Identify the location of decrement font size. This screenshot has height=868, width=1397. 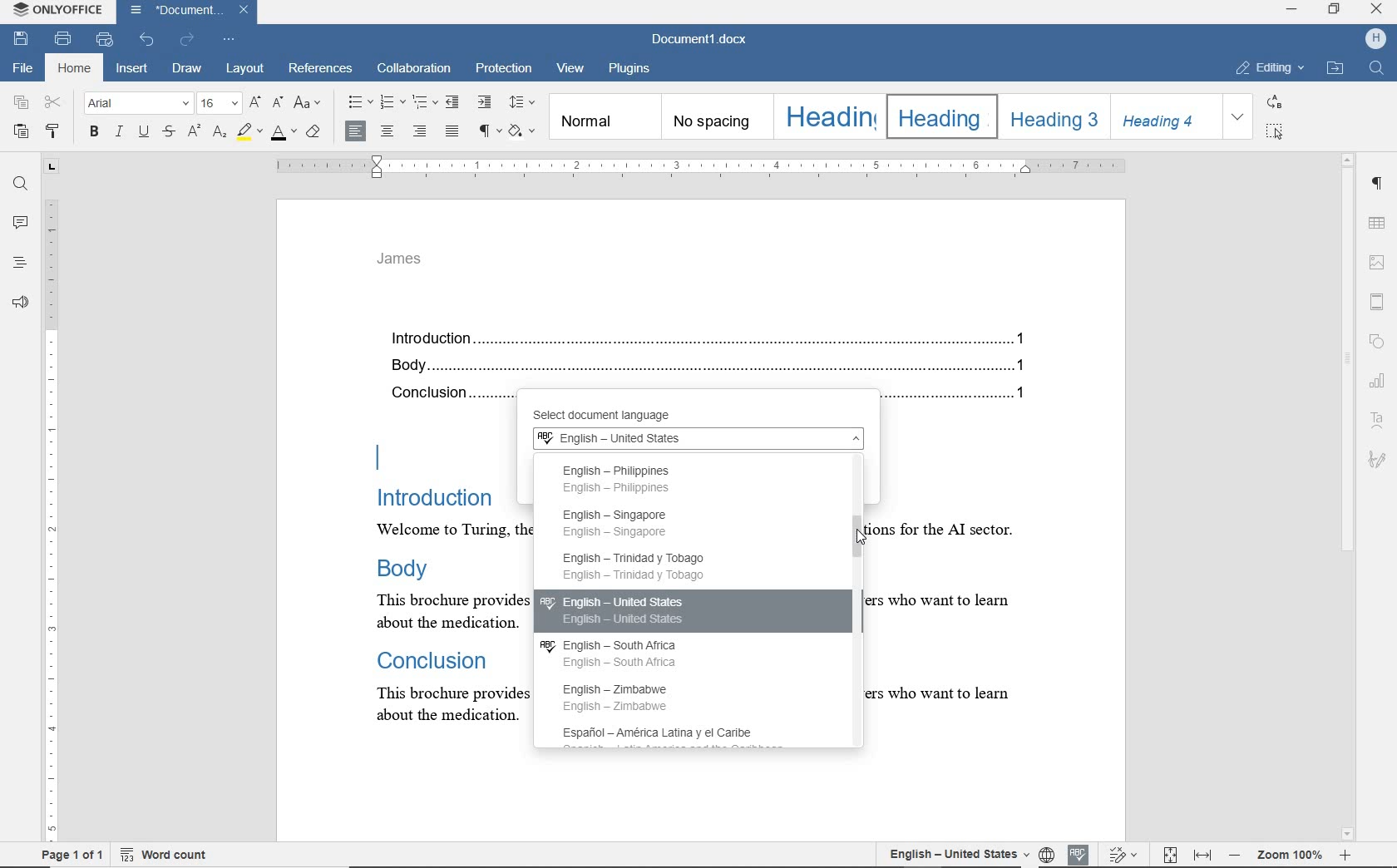
(278, 101).